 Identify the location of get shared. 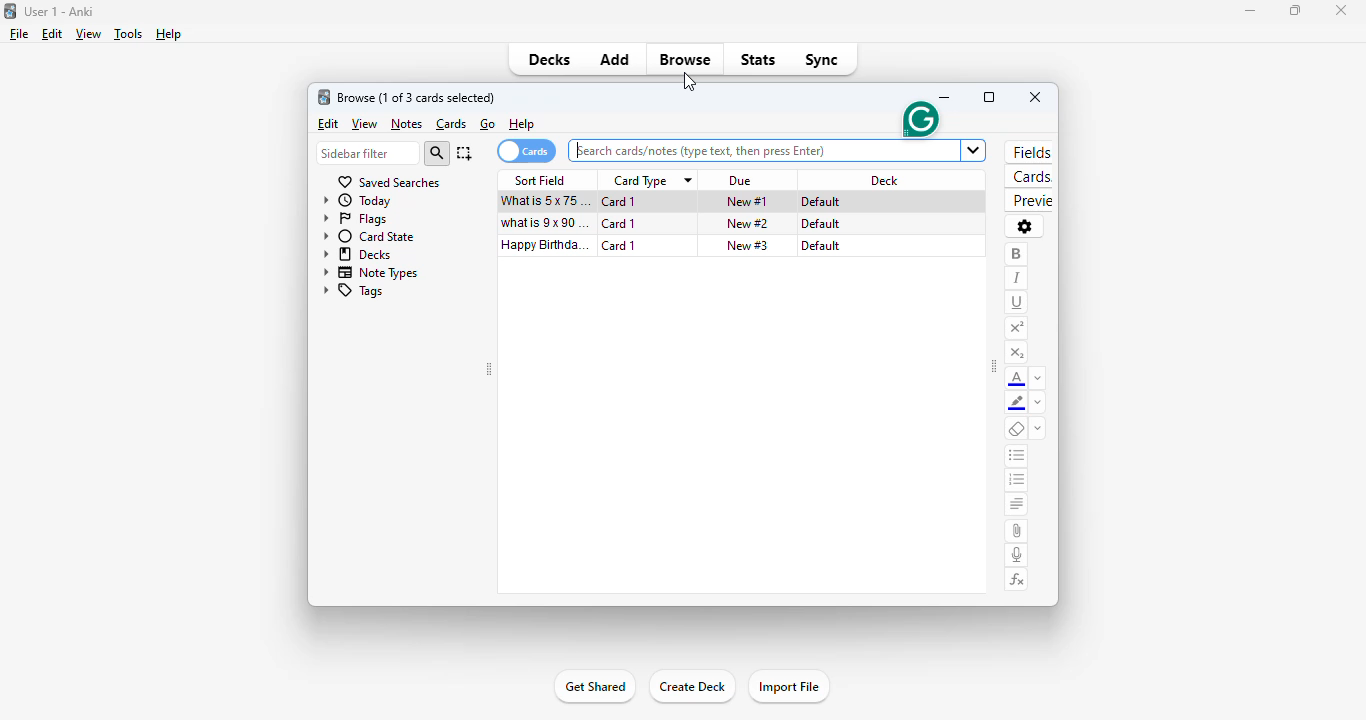
(597, 687).